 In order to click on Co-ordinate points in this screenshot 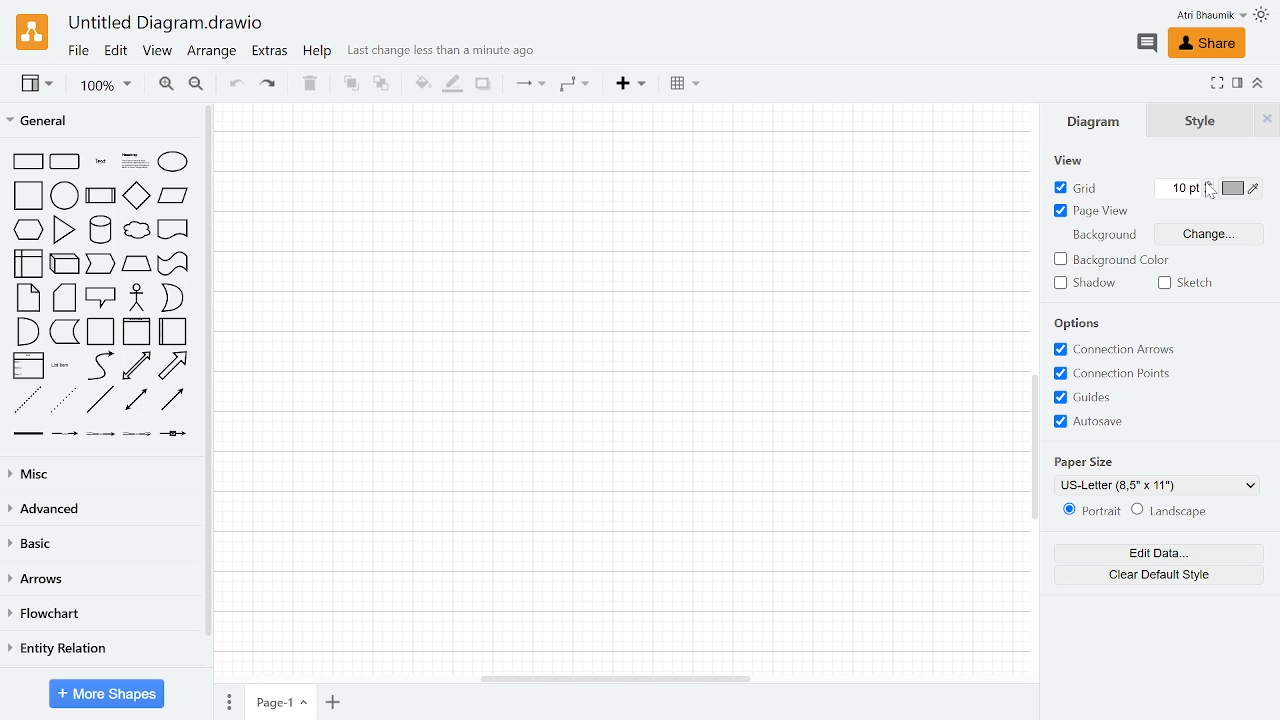, I will do `click(1116, 374)`.